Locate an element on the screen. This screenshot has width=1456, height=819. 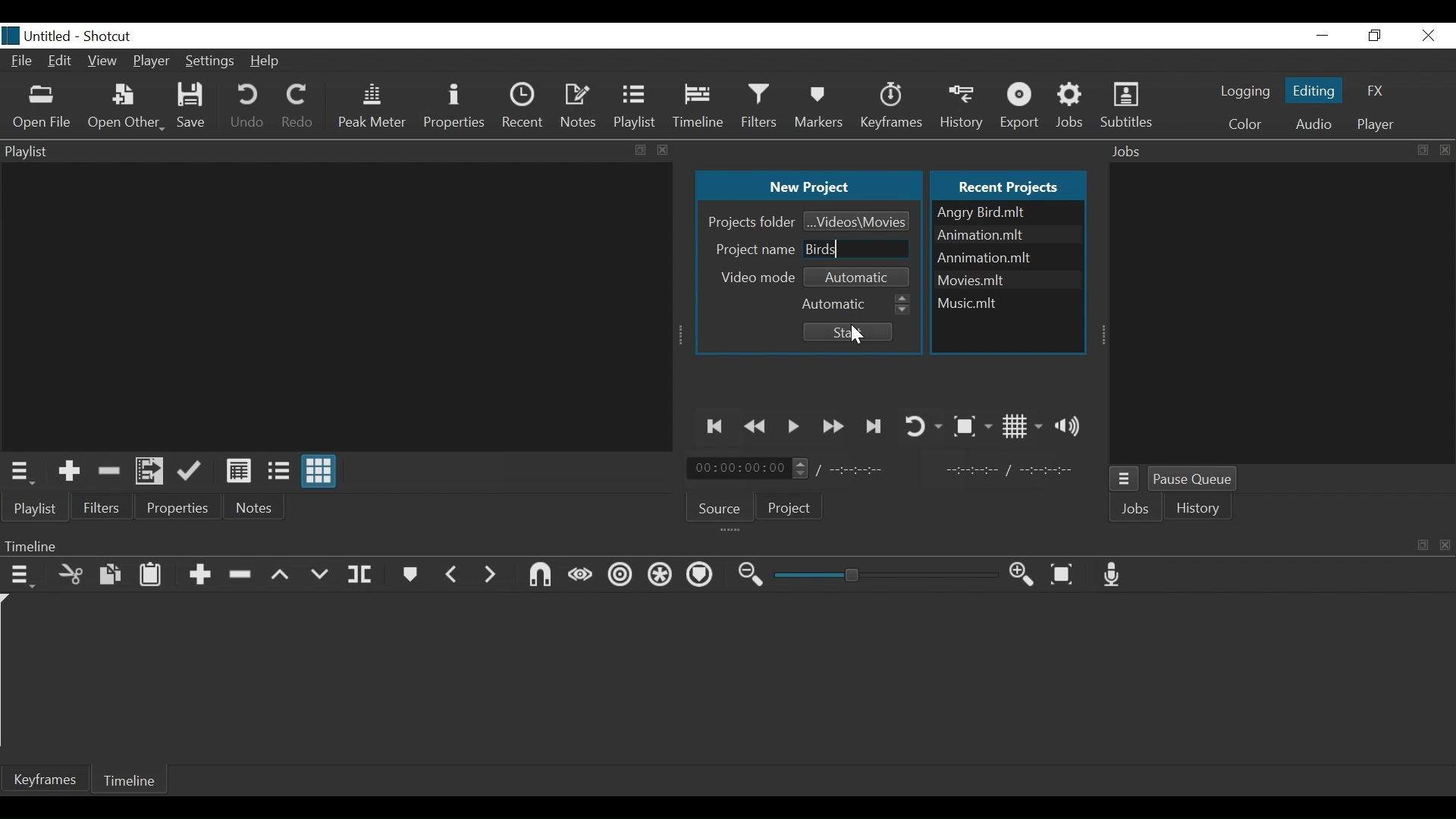
Editing is located at coordinates (1312, 89).